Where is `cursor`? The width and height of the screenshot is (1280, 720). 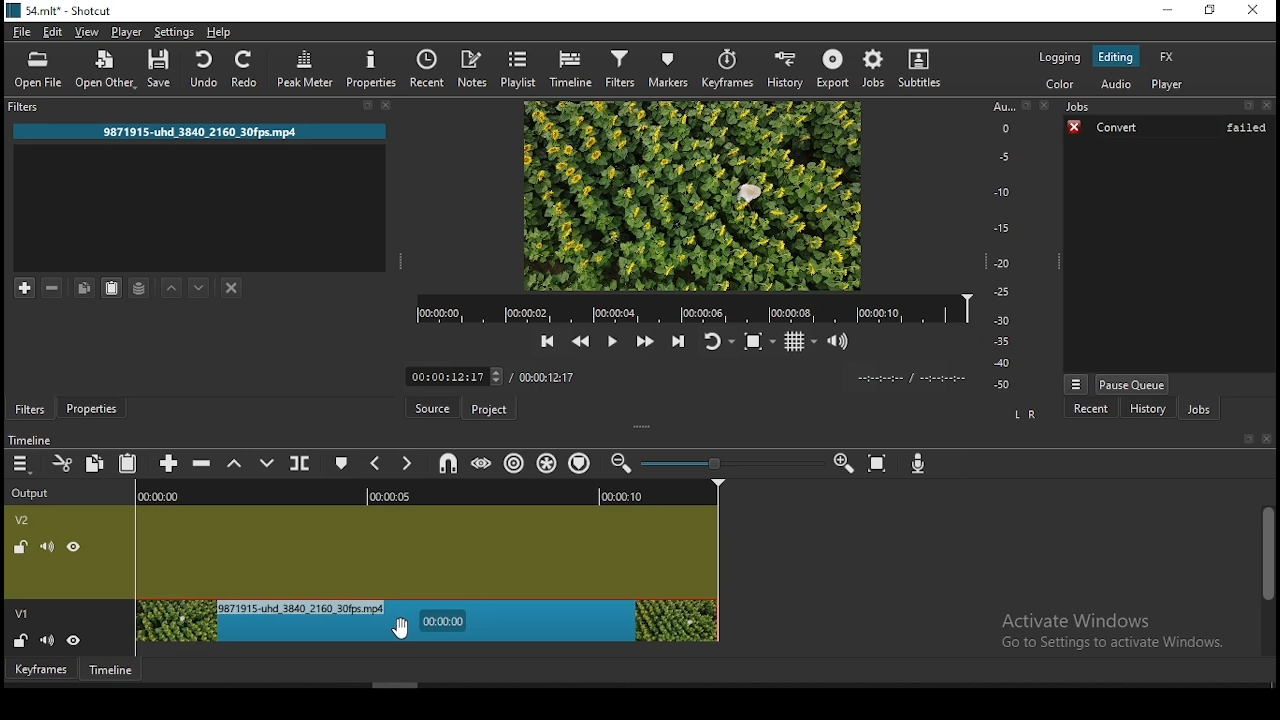 cursor is located at coordinates (409, 631).